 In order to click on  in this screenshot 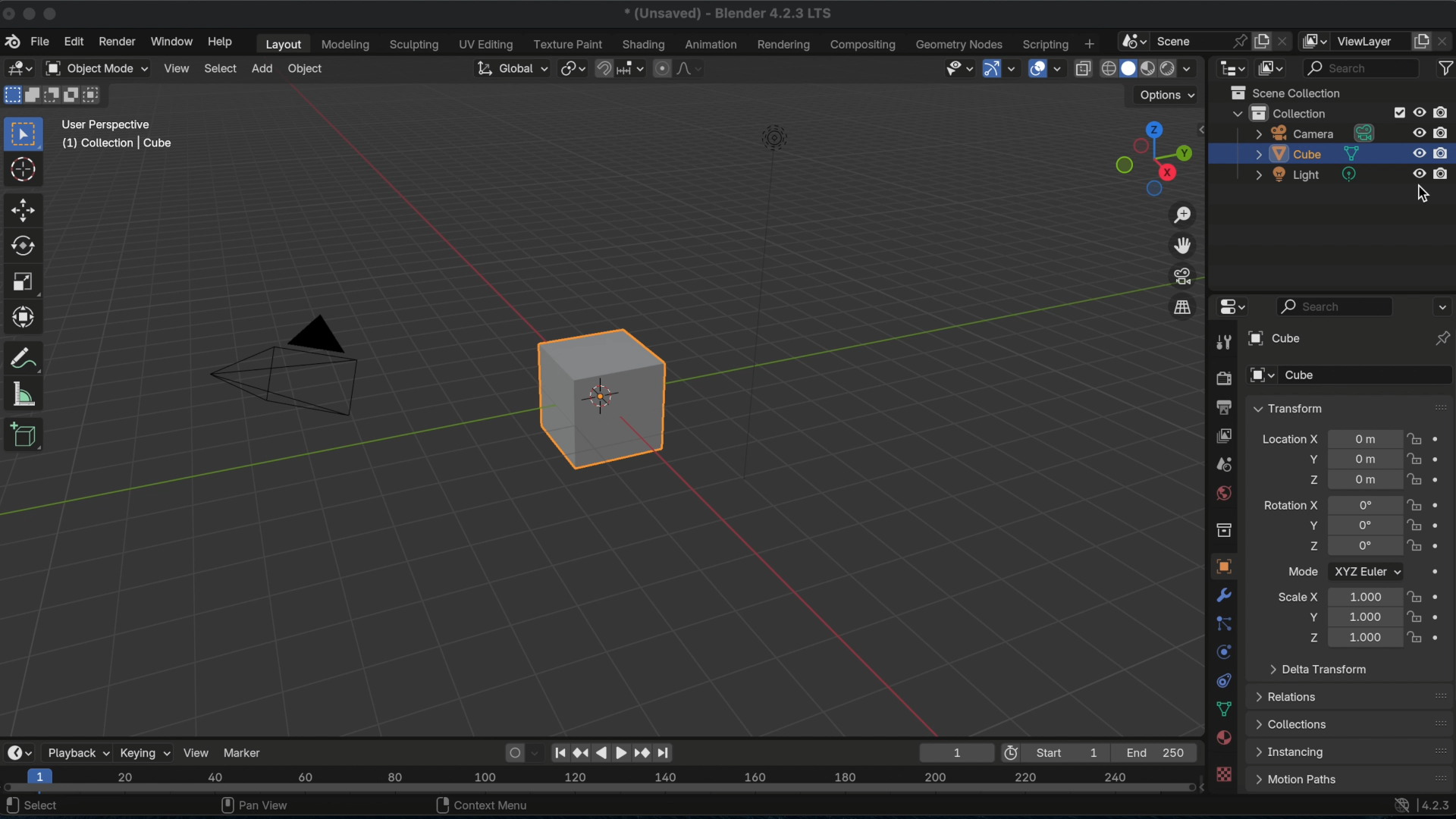, I will do `click(1233, 304)`.